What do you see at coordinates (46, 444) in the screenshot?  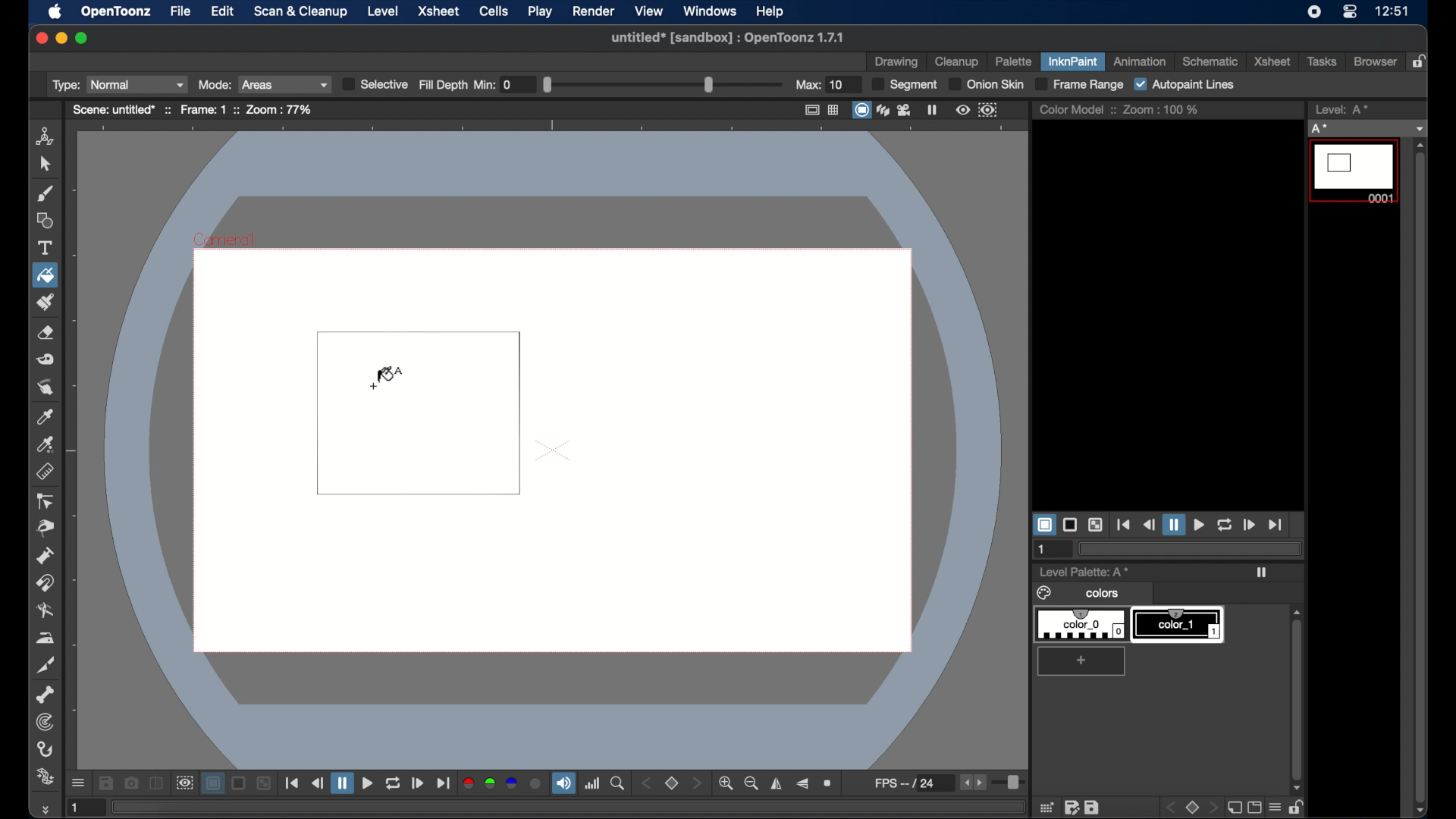 I see `picker tool` at bounding box center [46, 444].